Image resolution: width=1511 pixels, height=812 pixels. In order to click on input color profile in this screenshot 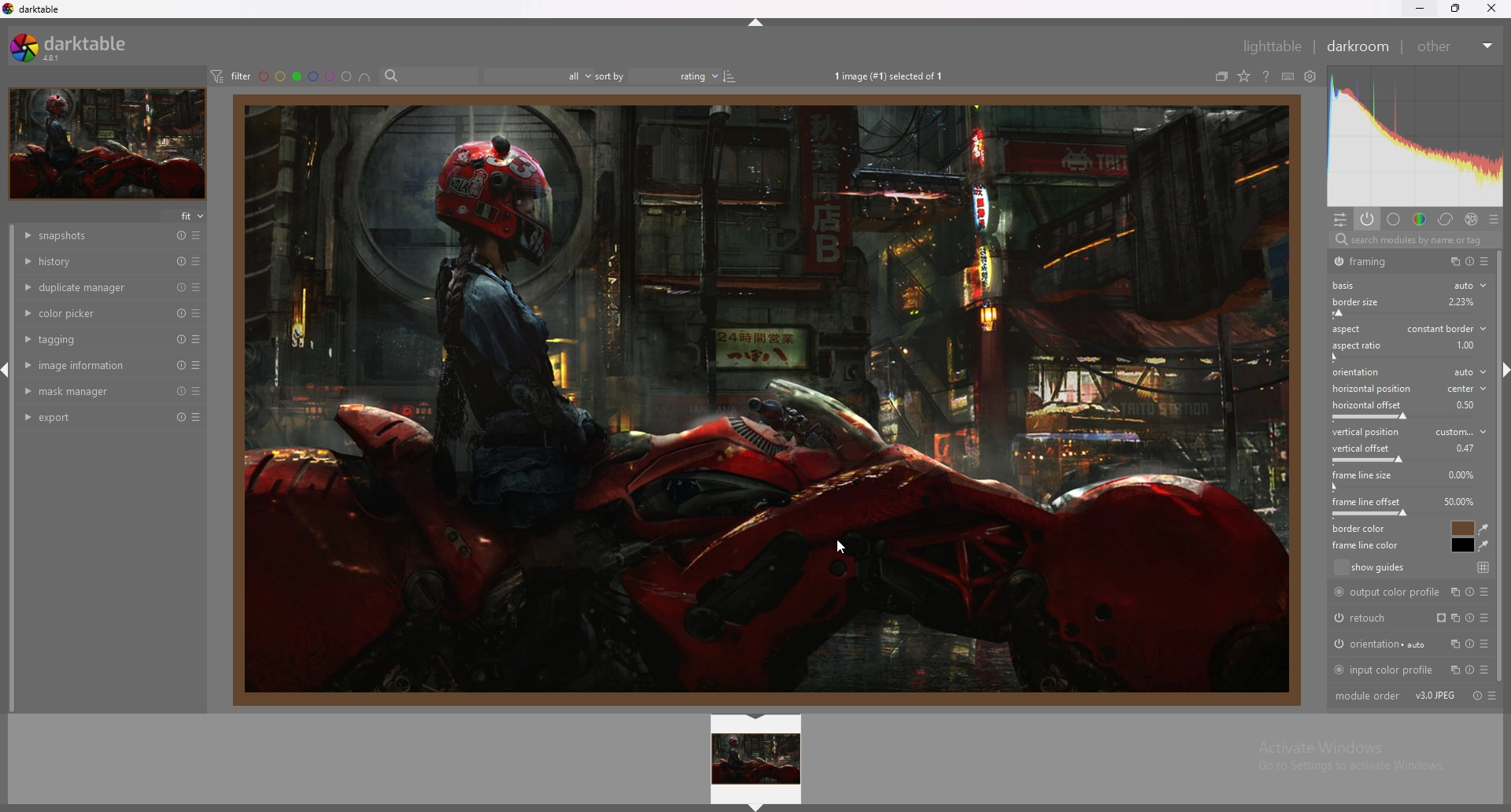, I will do `click(1408, 668)`.